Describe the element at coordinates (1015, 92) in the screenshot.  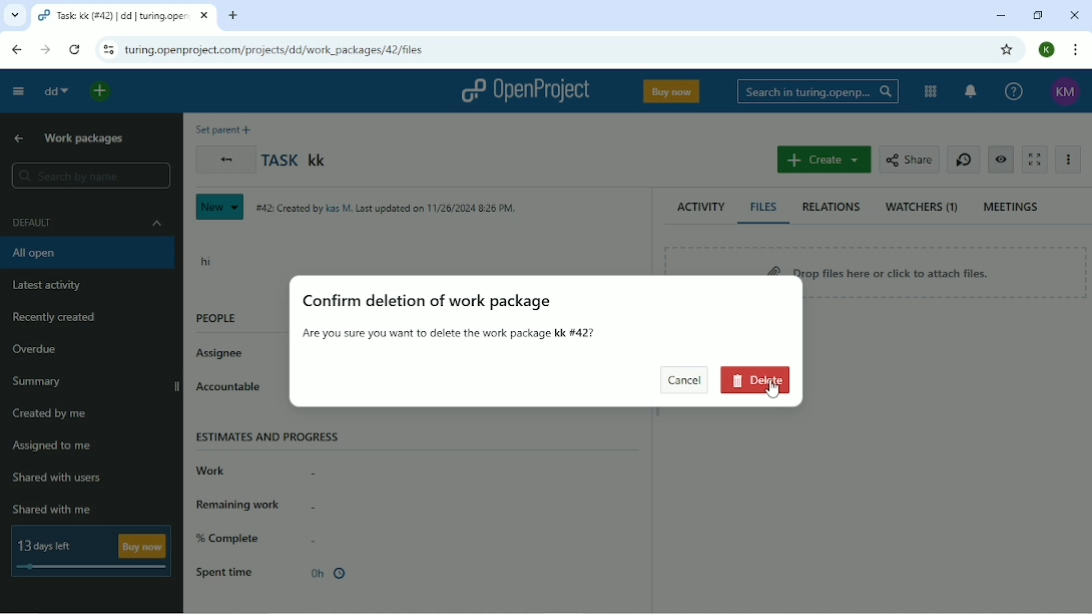
I see `Help` at that location.